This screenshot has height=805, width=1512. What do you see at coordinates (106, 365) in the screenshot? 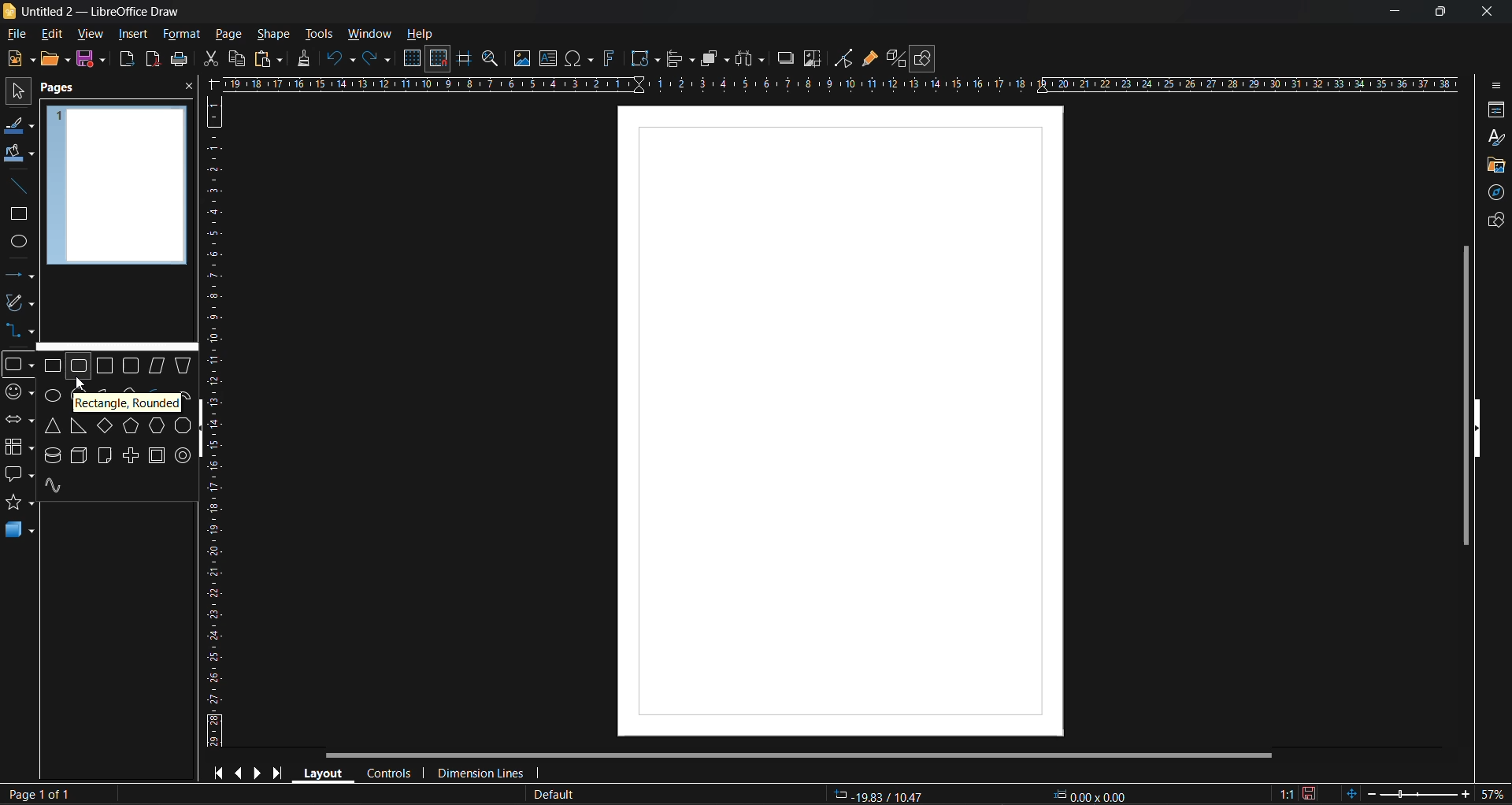
I see `square` at bounding box center [106, 365].